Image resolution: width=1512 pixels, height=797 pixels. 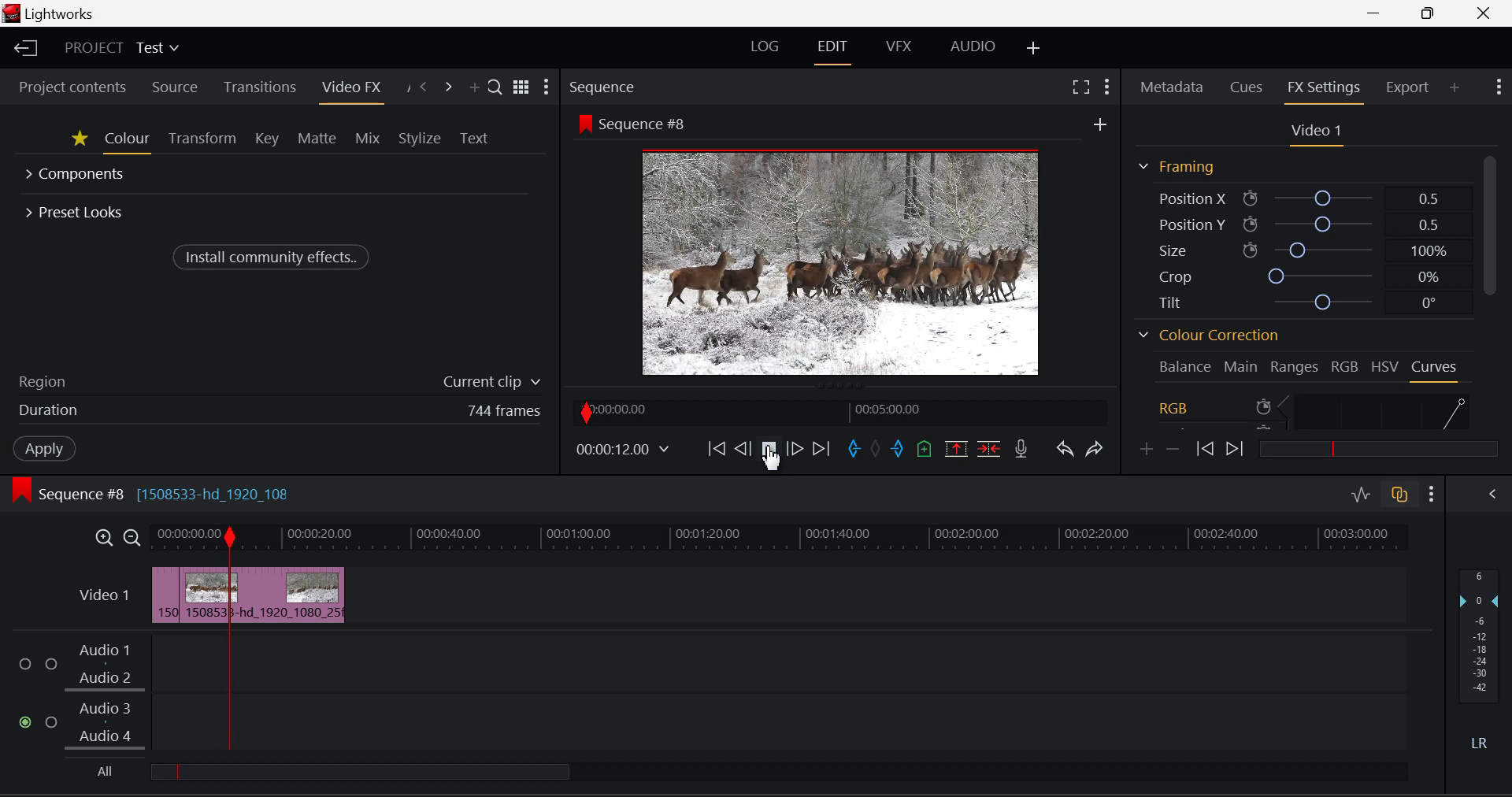 I want to click on Search, so click(x=495, y=85).